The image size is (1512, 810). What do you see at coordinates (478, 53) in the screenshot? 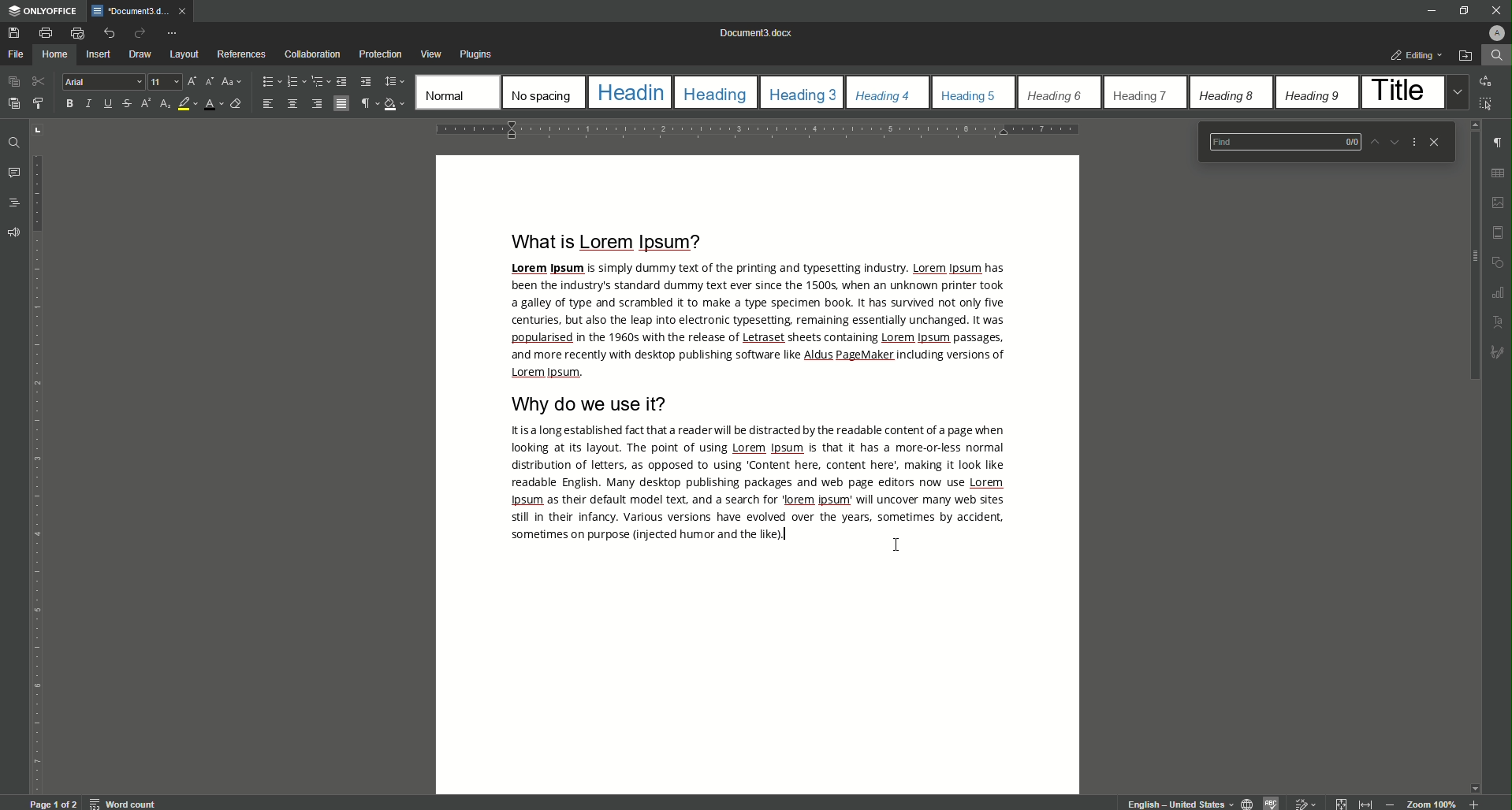
I see `Plugins` at bounding box center [478, 53].